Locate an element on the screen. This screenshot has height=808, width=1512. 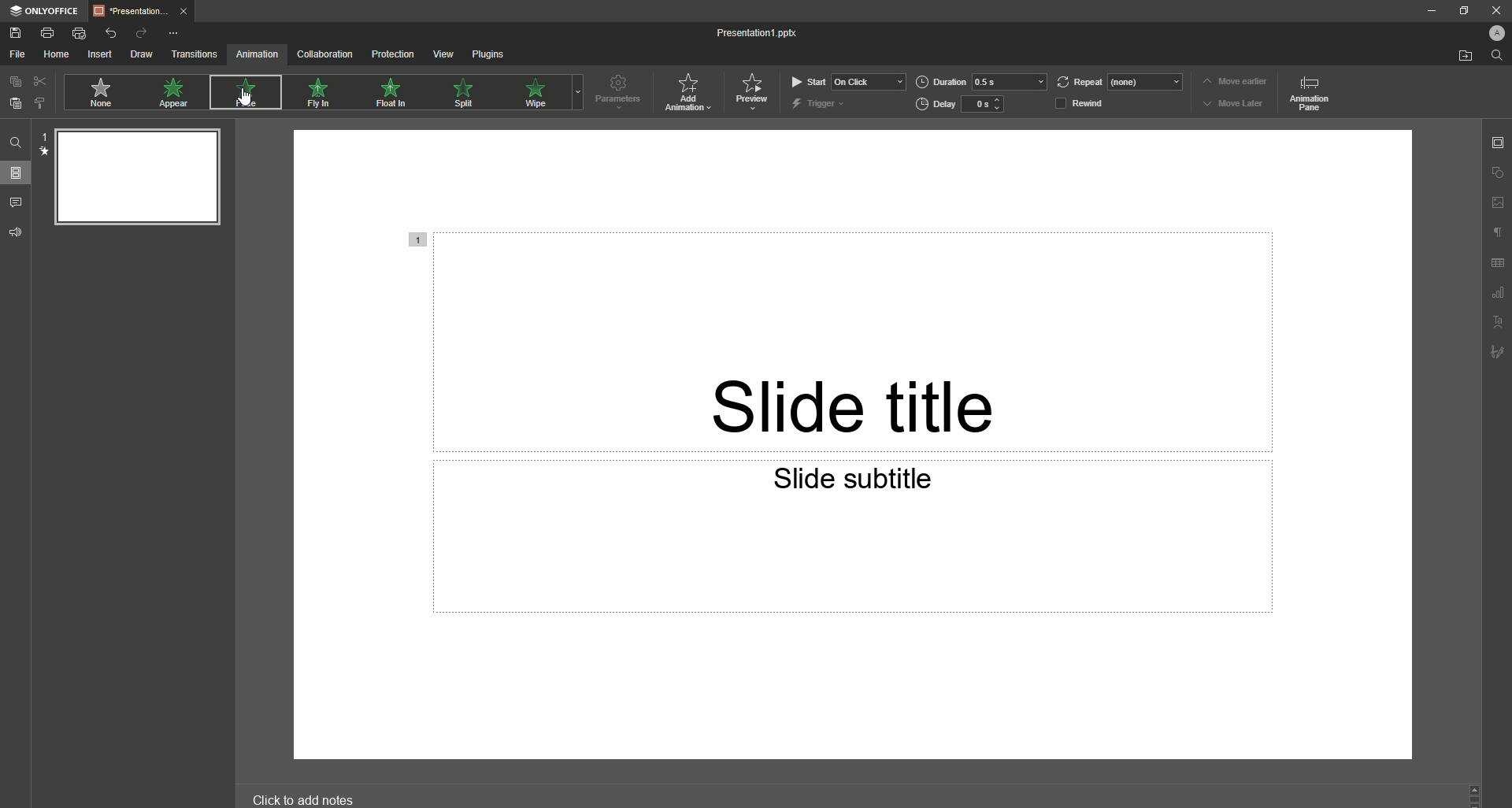
Home is located at coordinates (52, 54).